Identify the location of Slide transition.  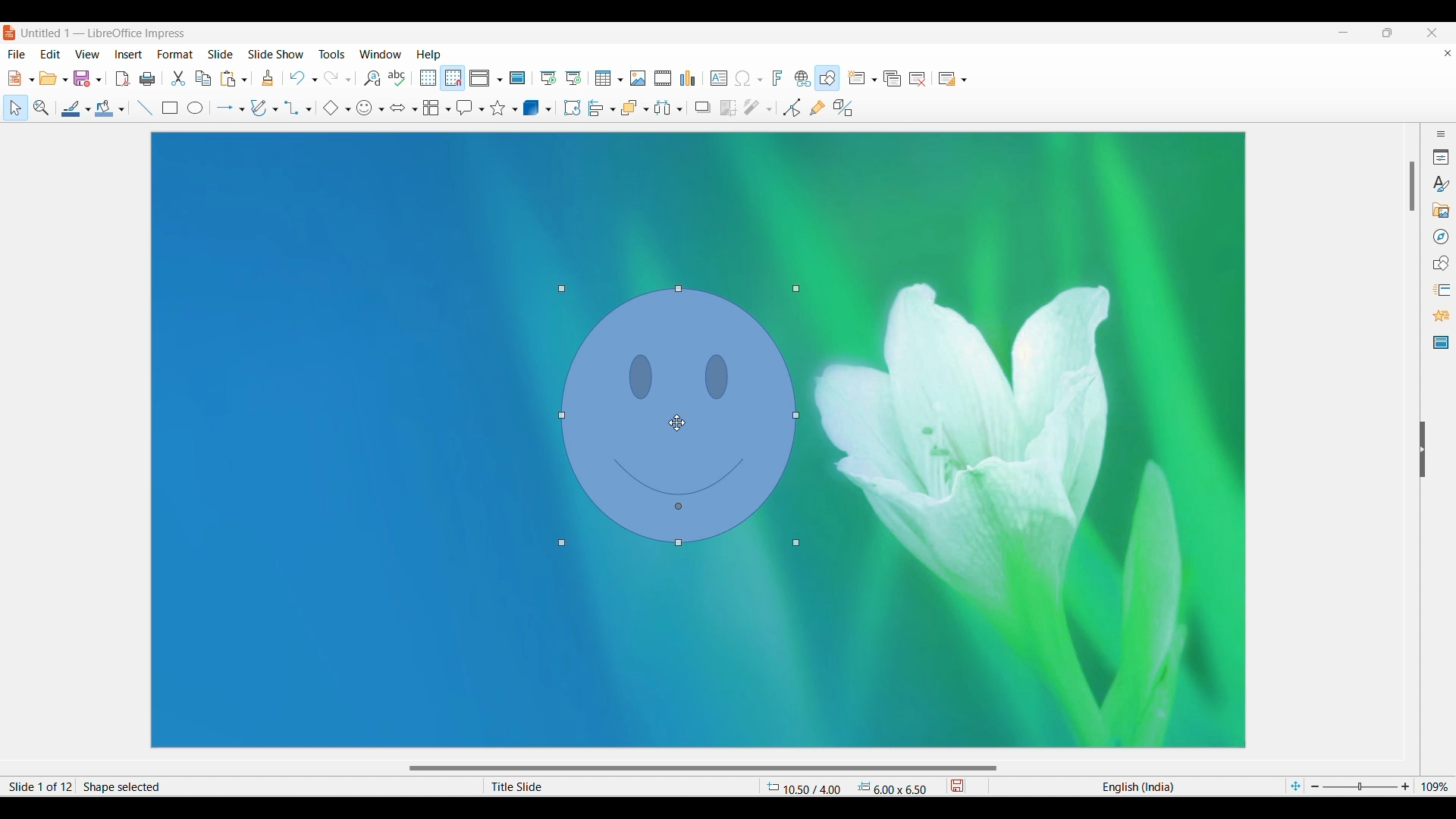
(1441, 290).